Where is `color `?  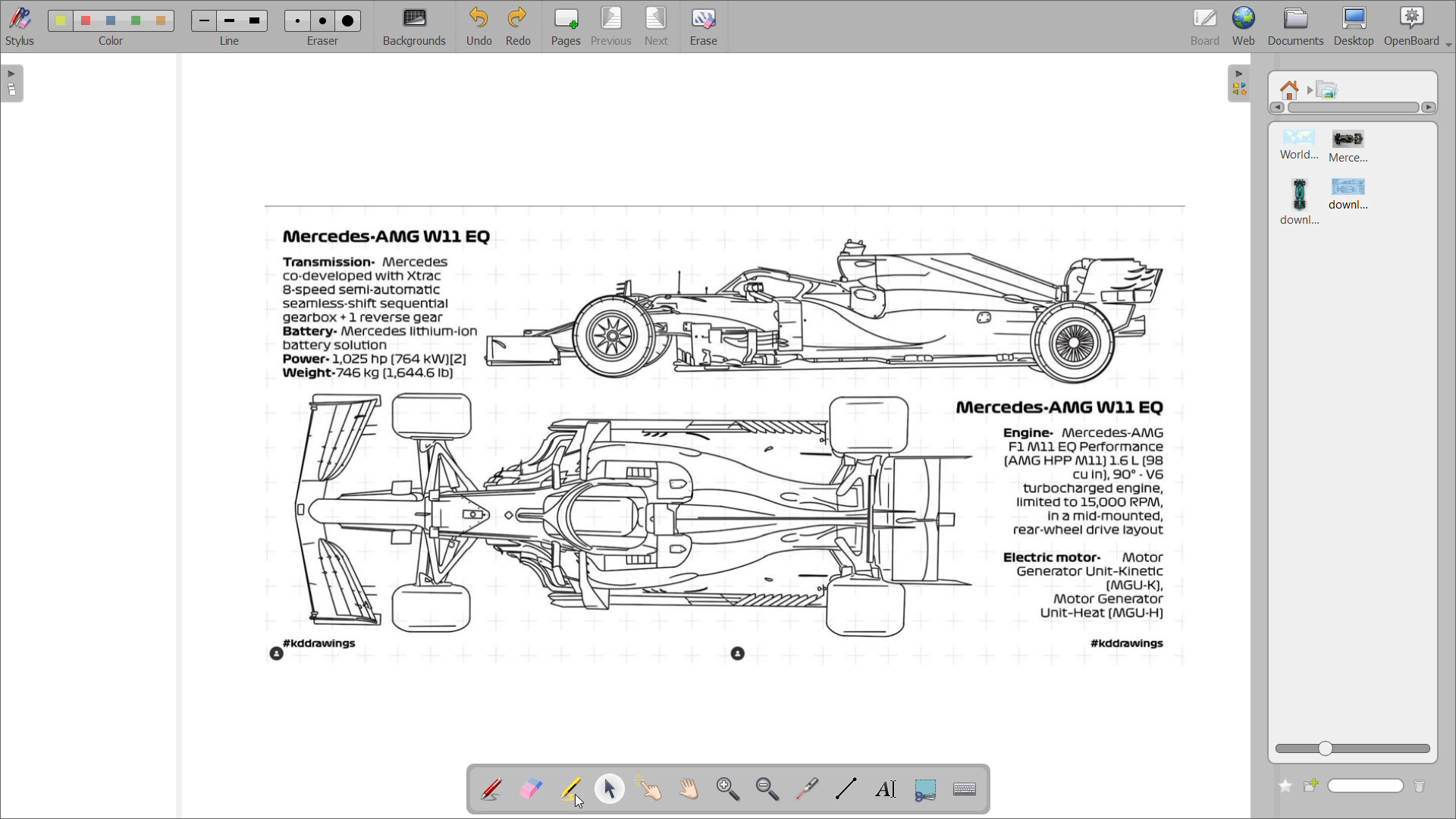 color  is located at coordinates (110, 42).